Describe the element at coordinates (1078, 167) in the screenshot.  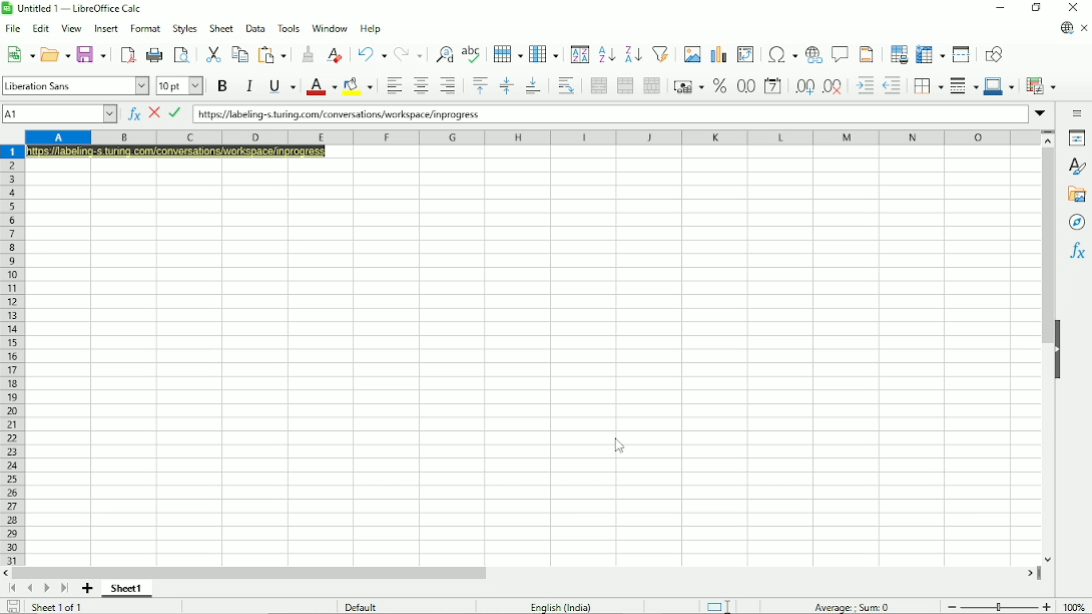
I see `Styles` at that location.